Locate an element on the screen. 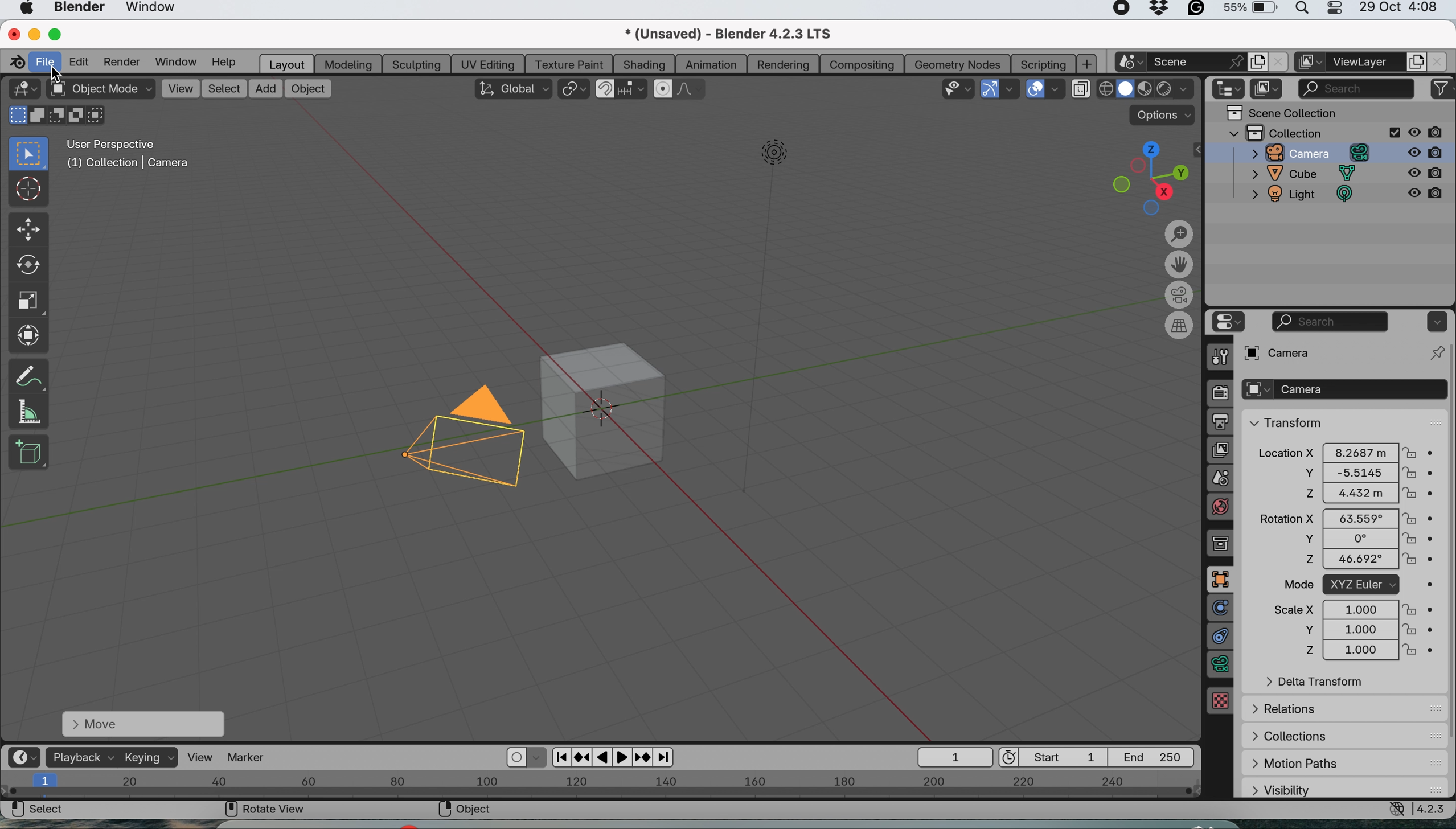 The width and height of the screenshot is (1456, 829). light object is located at coordinates (767, 316).